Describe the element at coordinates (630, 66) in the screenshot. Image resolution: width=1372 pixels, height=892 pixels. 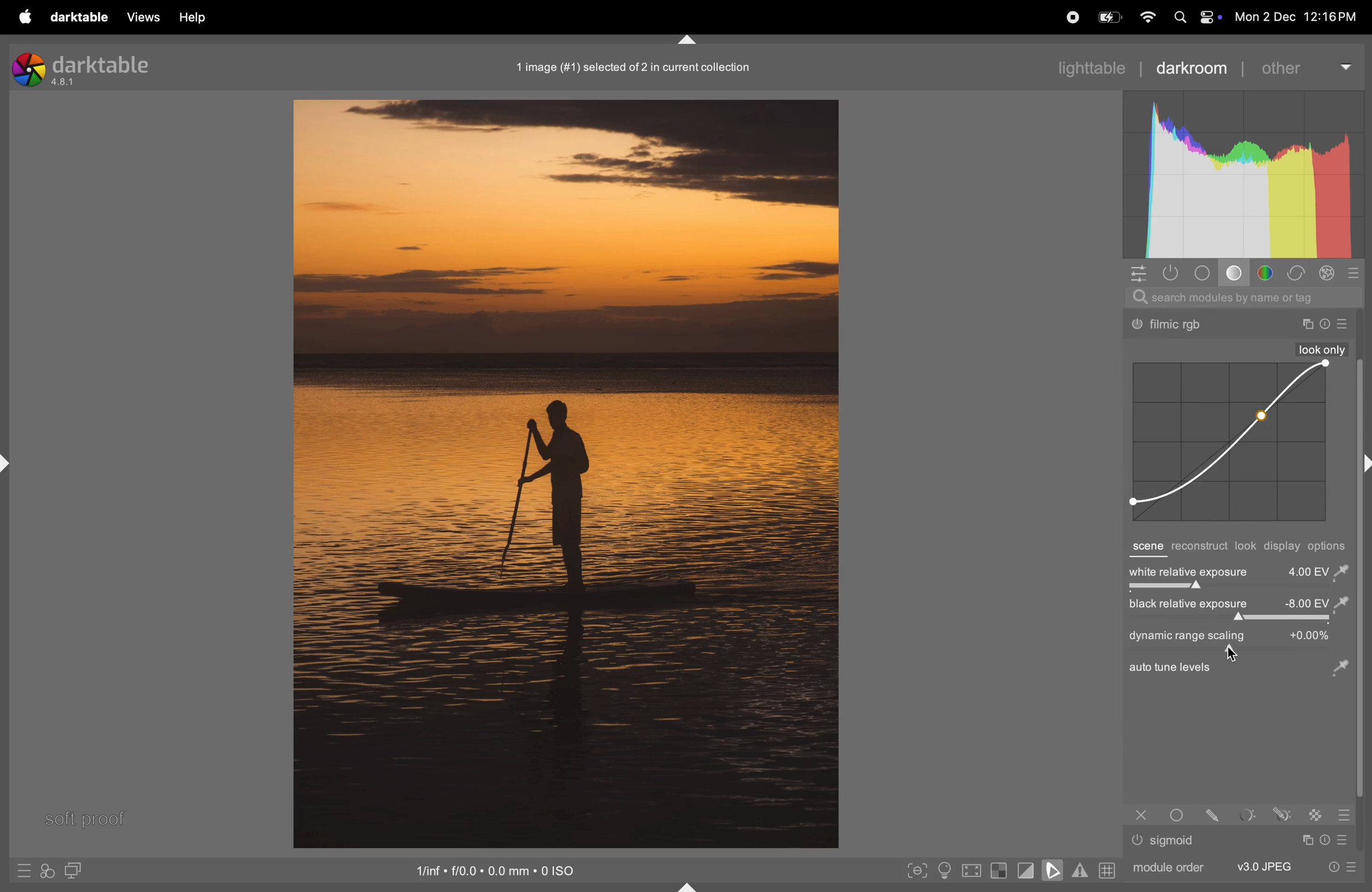
I see `1 image in current position` at that location.